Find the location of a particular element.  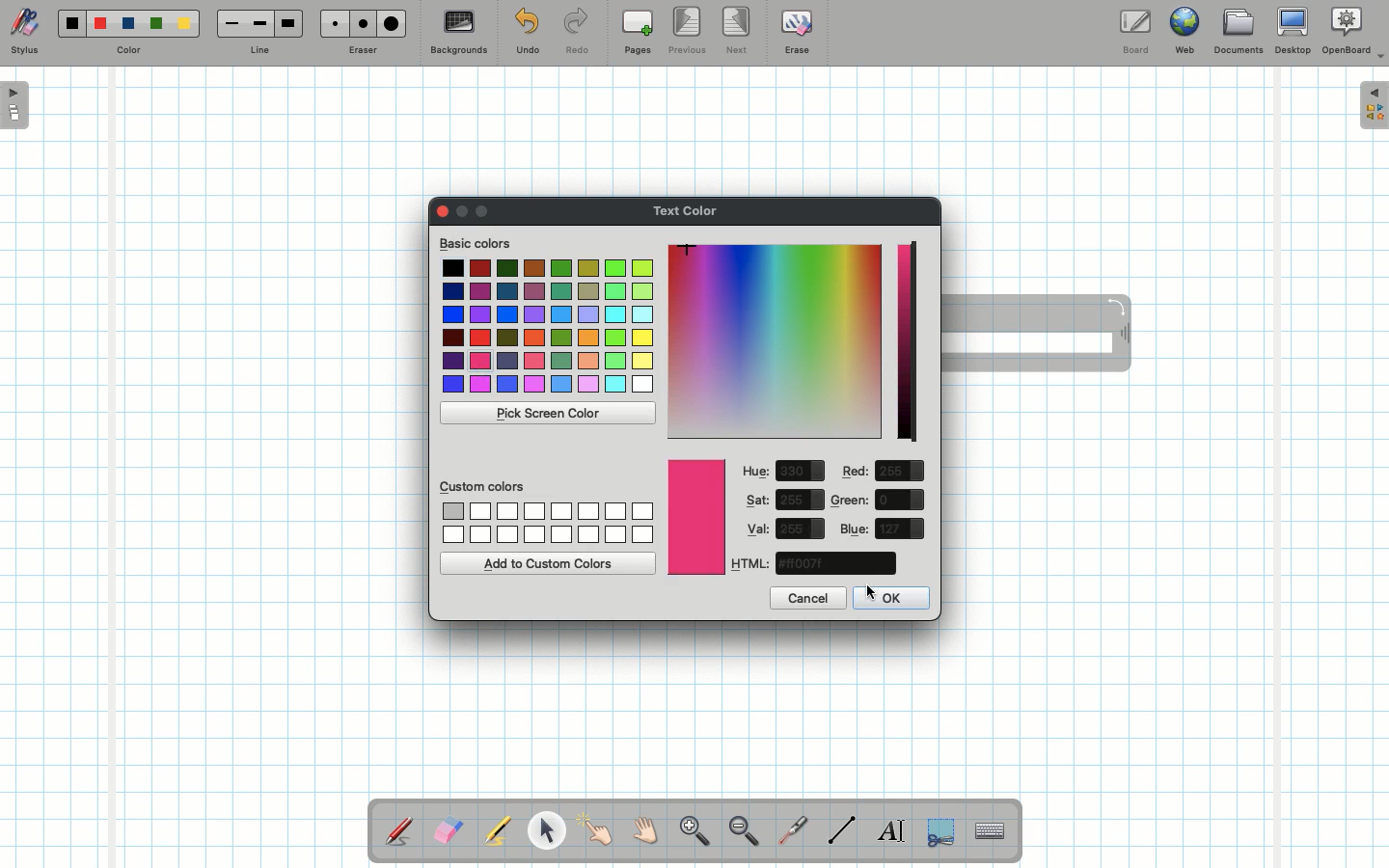

value is located at coordinates (801, 529).